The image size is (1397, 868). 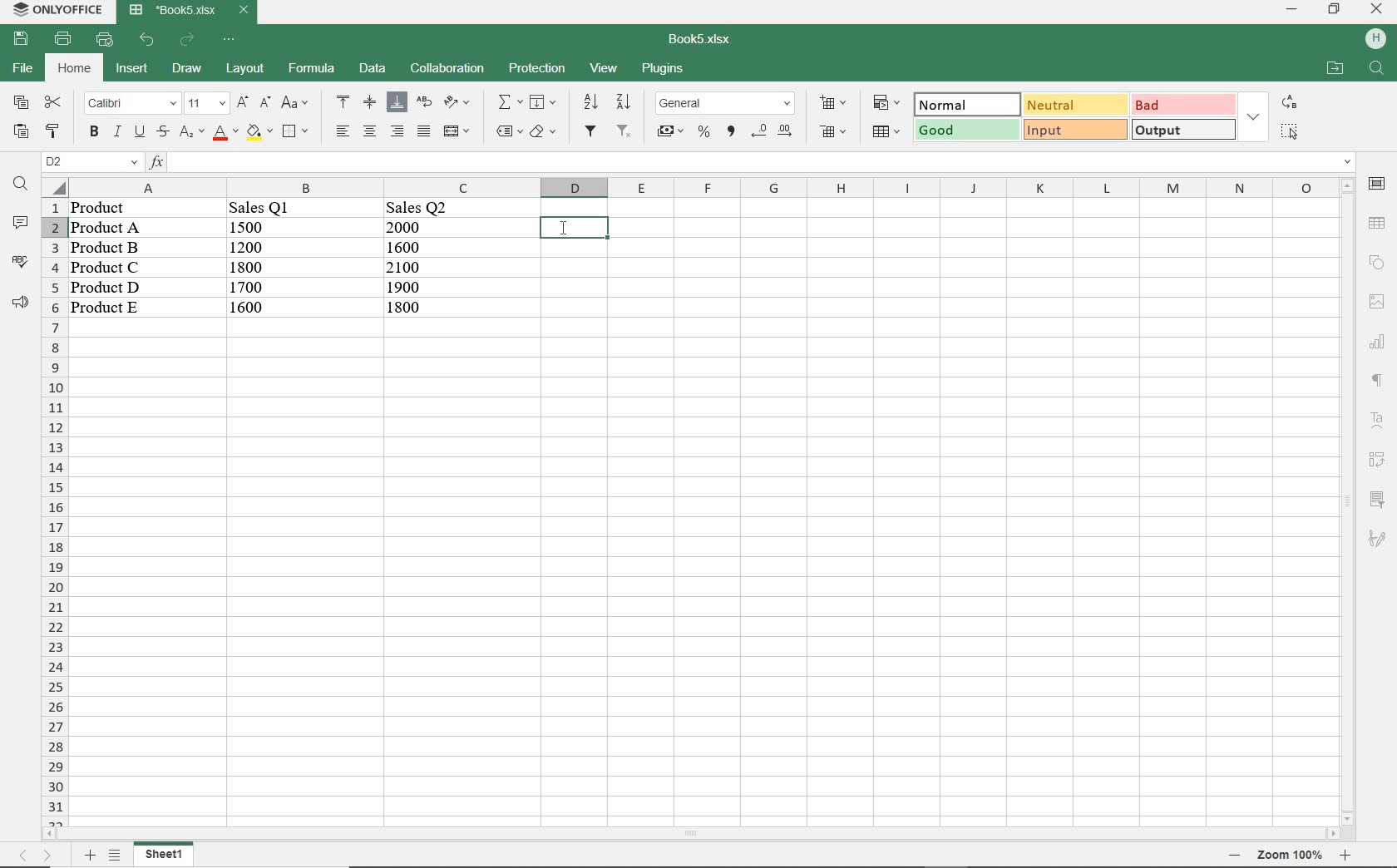 I want to click on pivot table, so click(x=1377, y=461).